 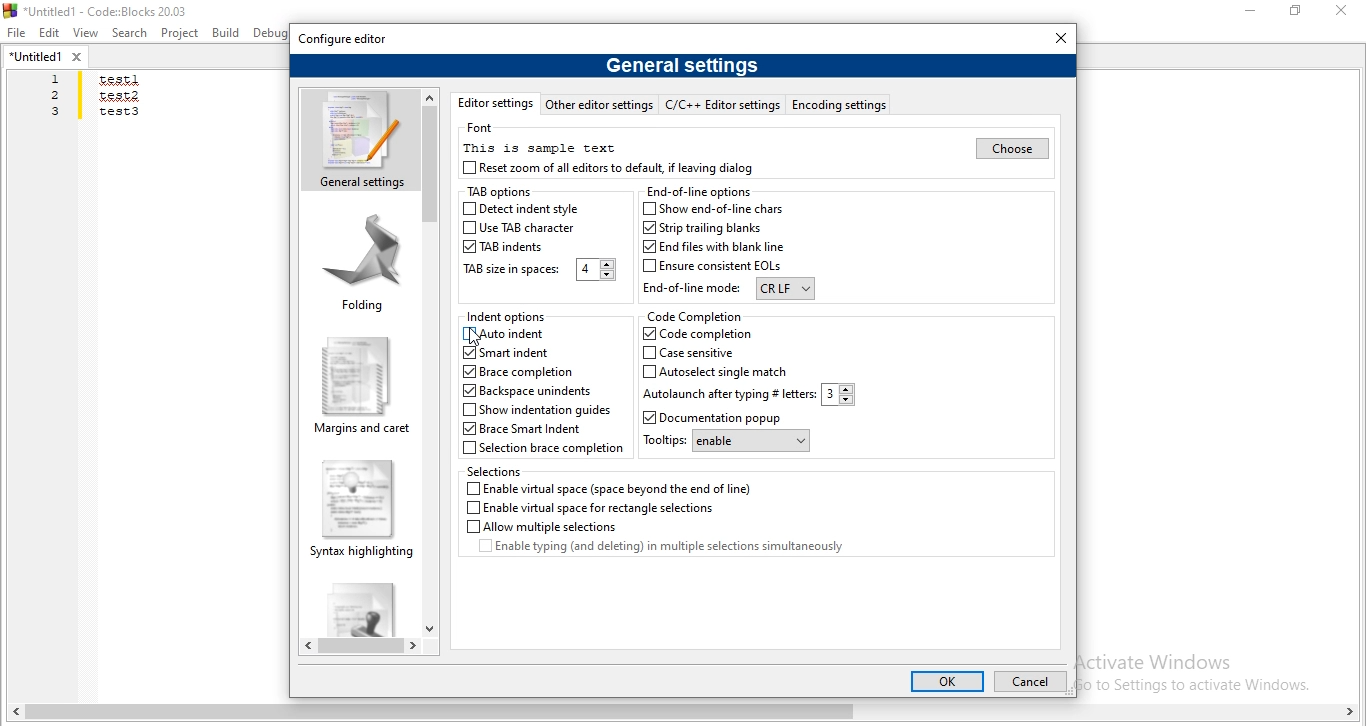 What do you see at coordinates (599, 104) in the screenshot?
I see `Other editor settings ` at bounding box center [599, 104].